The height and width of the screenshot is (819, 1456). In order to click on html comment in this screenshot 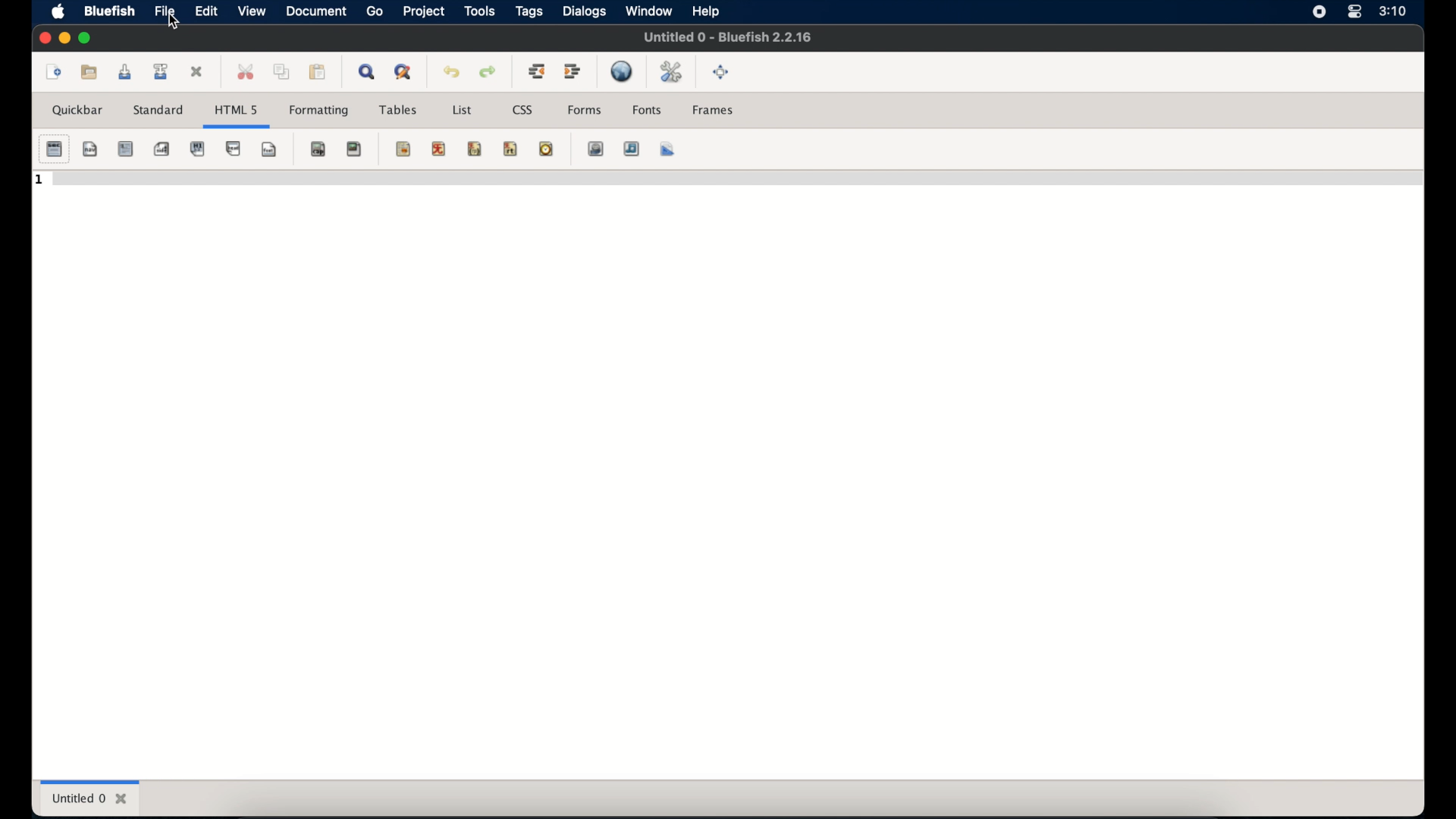, I will do `click(497, 148)`.